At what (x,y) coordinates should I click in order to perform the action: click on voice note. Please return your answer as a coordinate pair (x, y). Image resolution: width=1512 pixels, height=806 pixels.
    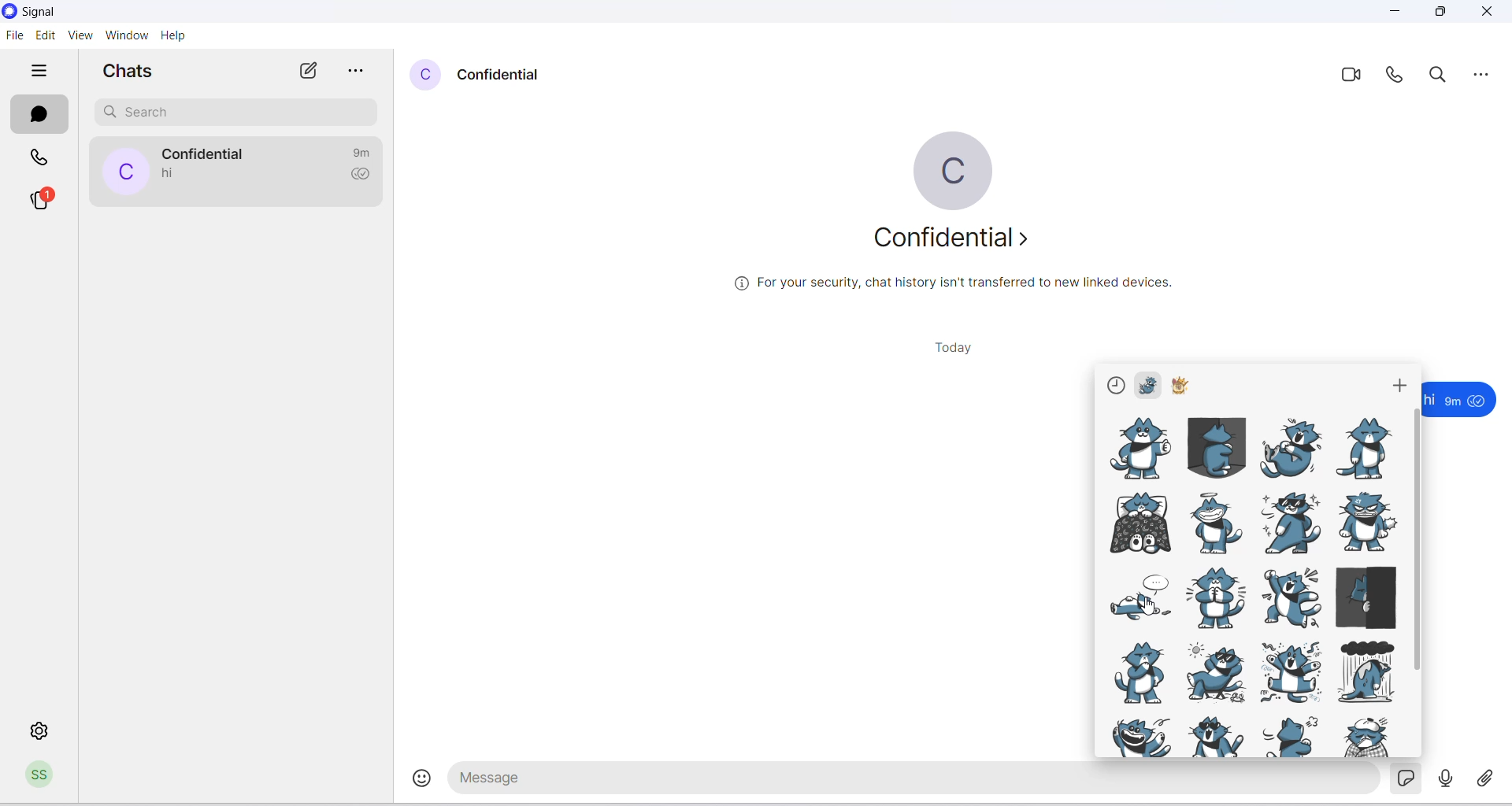
    Looking at the image, I should click on (1447, 778).